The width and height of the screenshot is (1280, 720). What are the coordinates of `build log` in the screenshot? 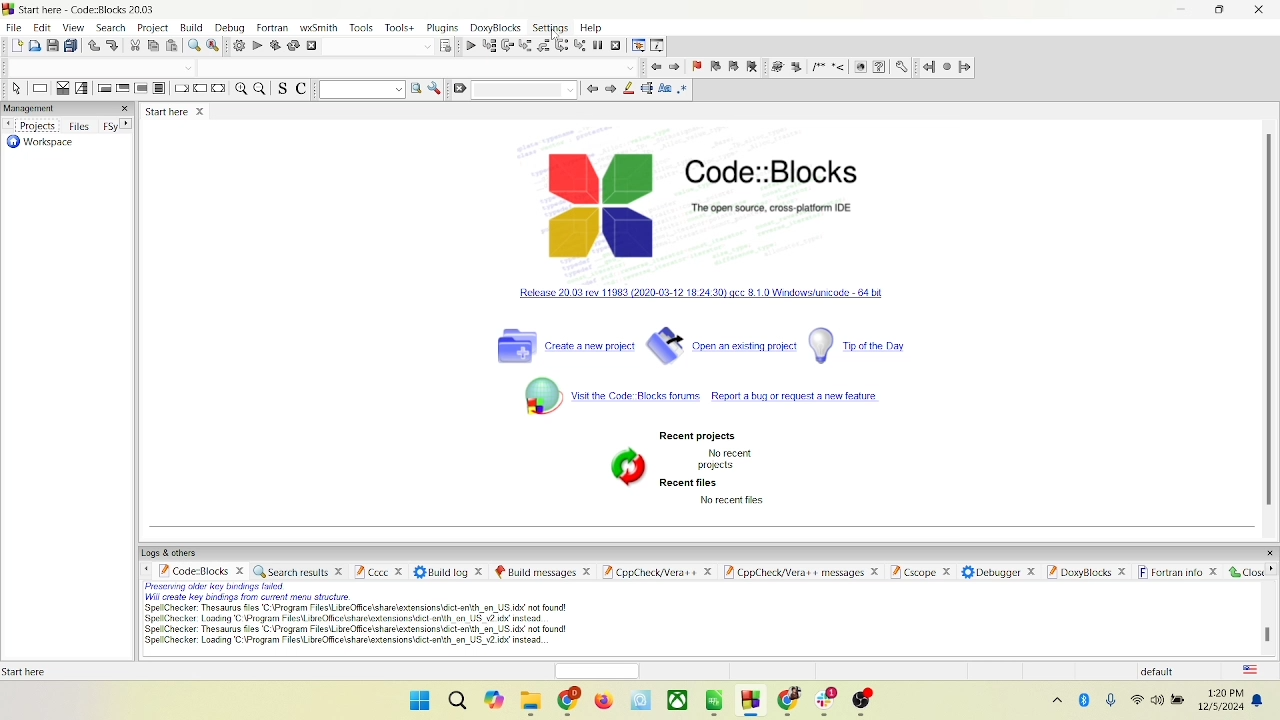 It's located at (451, 572).